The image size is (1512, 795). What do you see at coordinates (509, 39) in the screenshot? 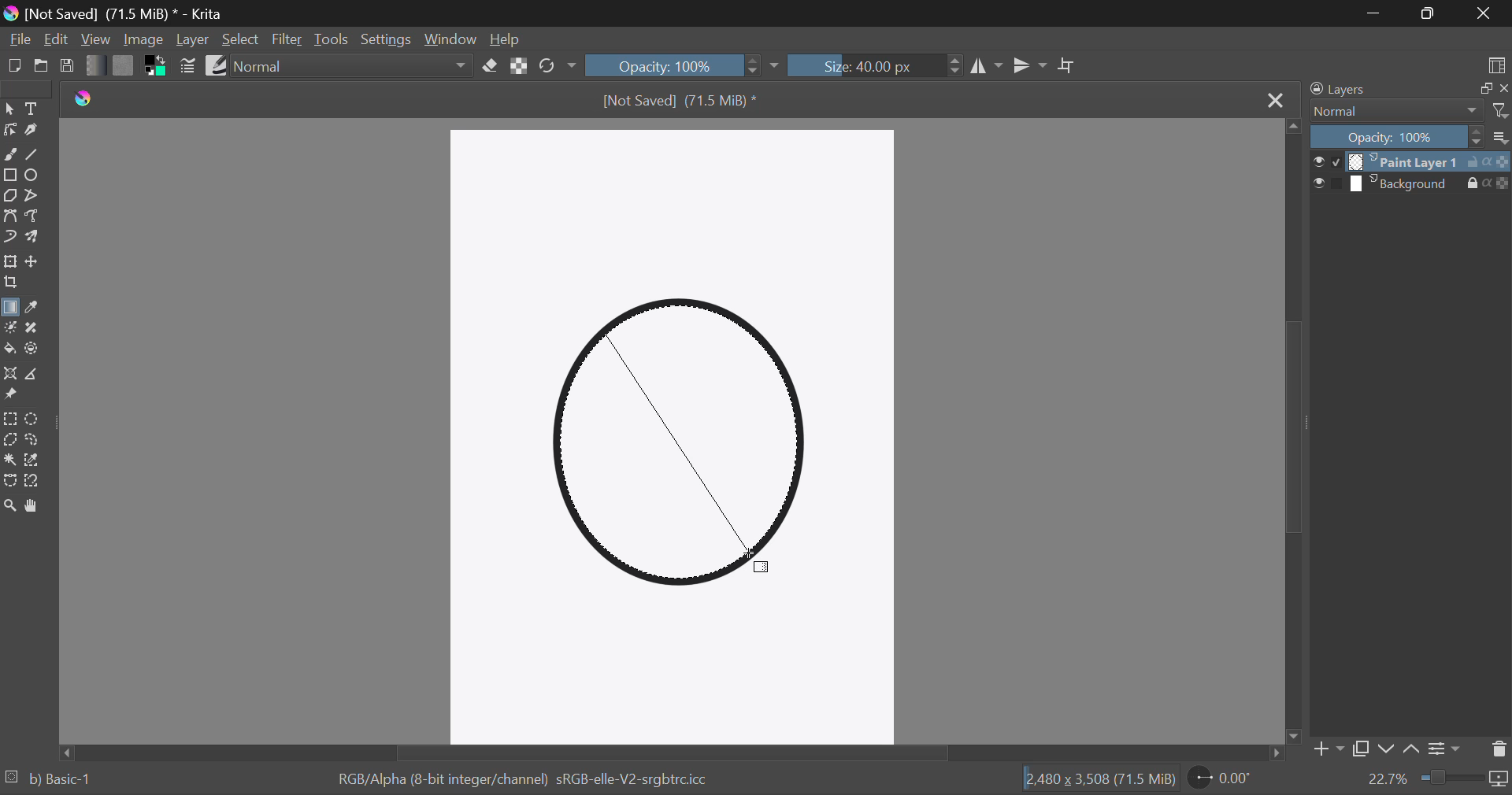
I see `Help` at bounding box center [509, 39].